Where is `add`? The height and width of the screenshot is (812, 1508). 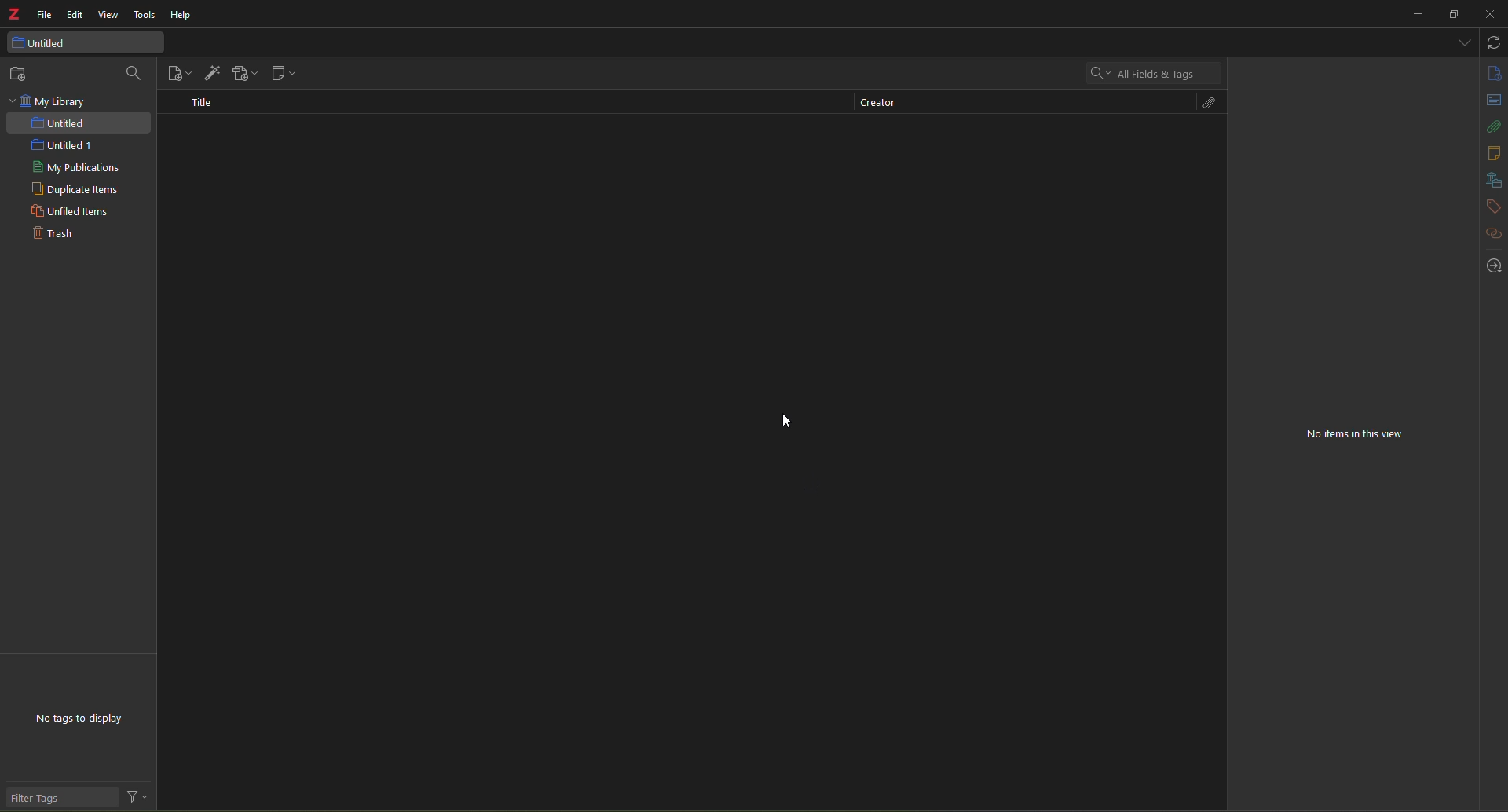 add is located at coordinates (1446, 307).